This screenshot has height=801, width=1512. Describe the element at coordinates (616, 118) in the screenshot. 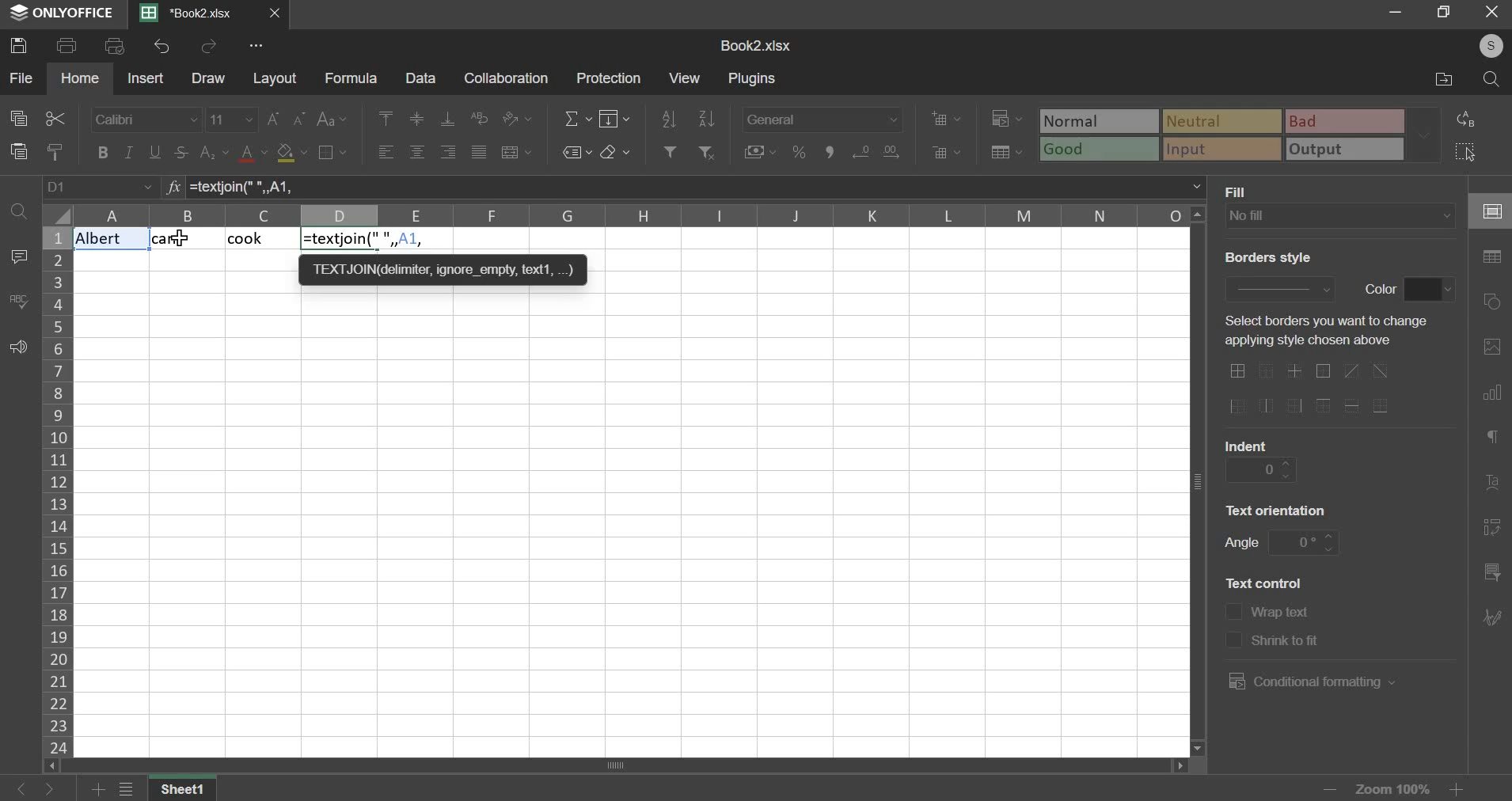

I see `fill` at that location.